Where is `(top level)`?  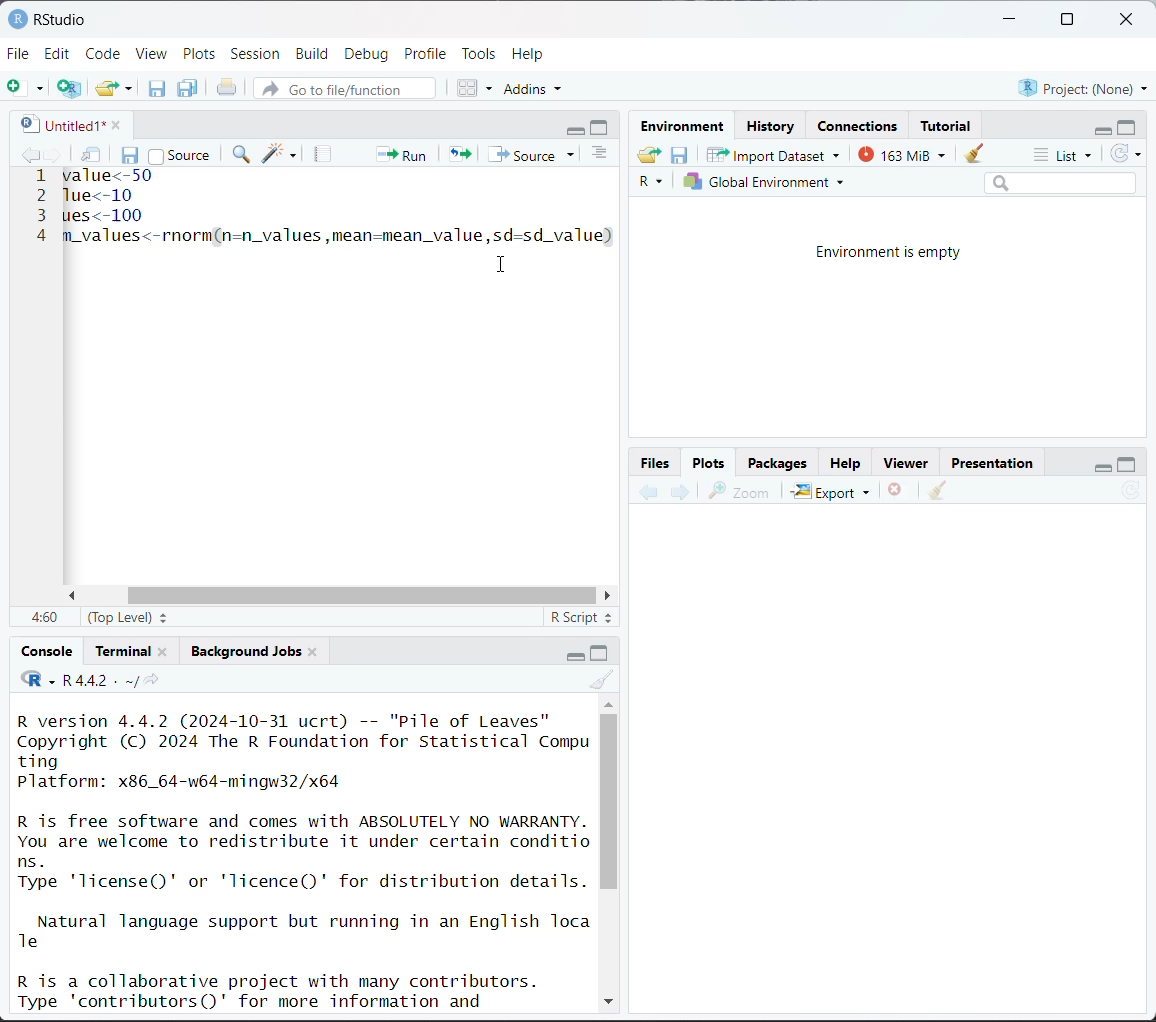
(top level) is located at coordinates (130, 617).